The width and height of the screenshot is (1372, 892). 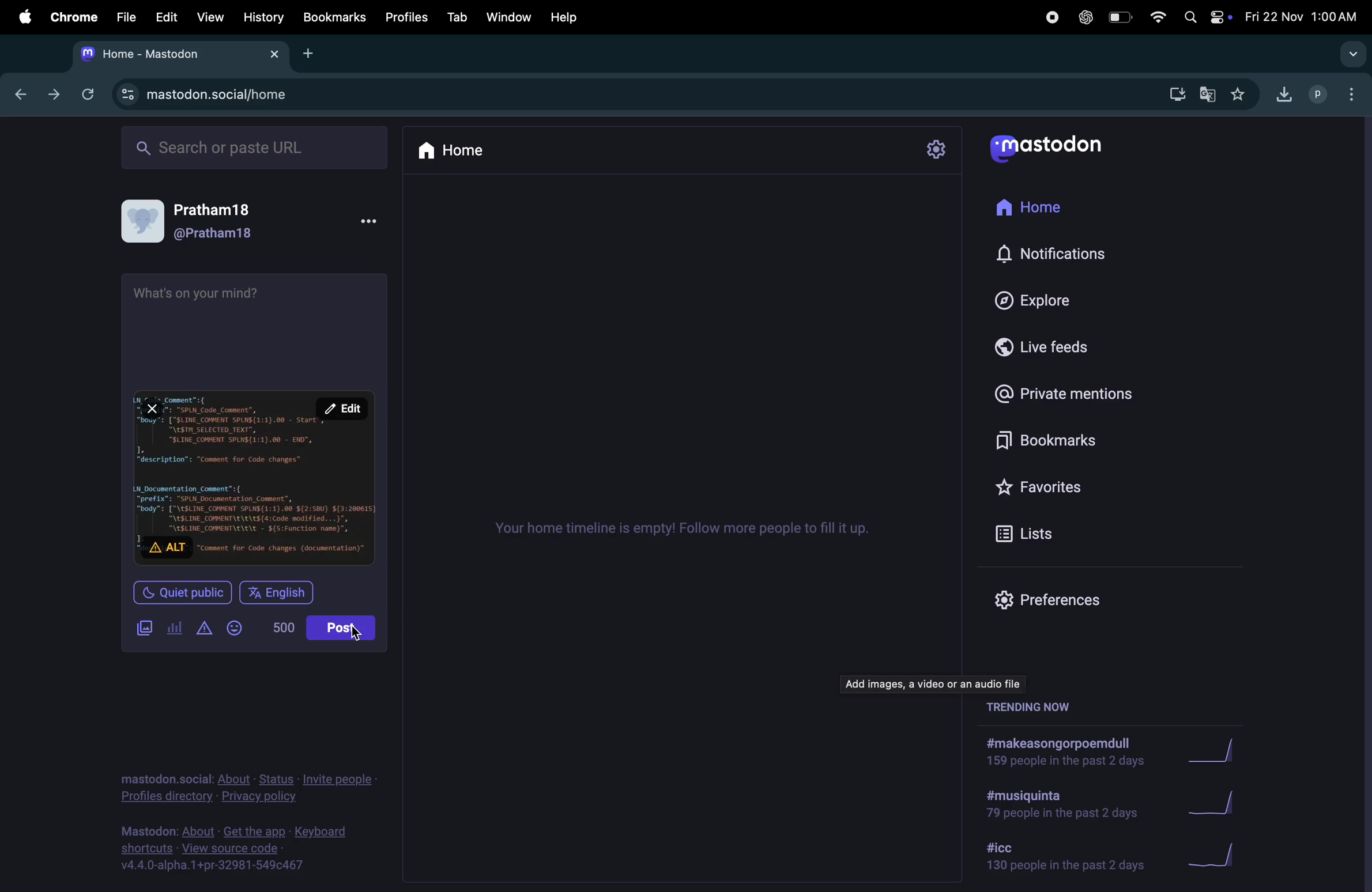 I want to click on Pratham18, so click(x=210, y=210).